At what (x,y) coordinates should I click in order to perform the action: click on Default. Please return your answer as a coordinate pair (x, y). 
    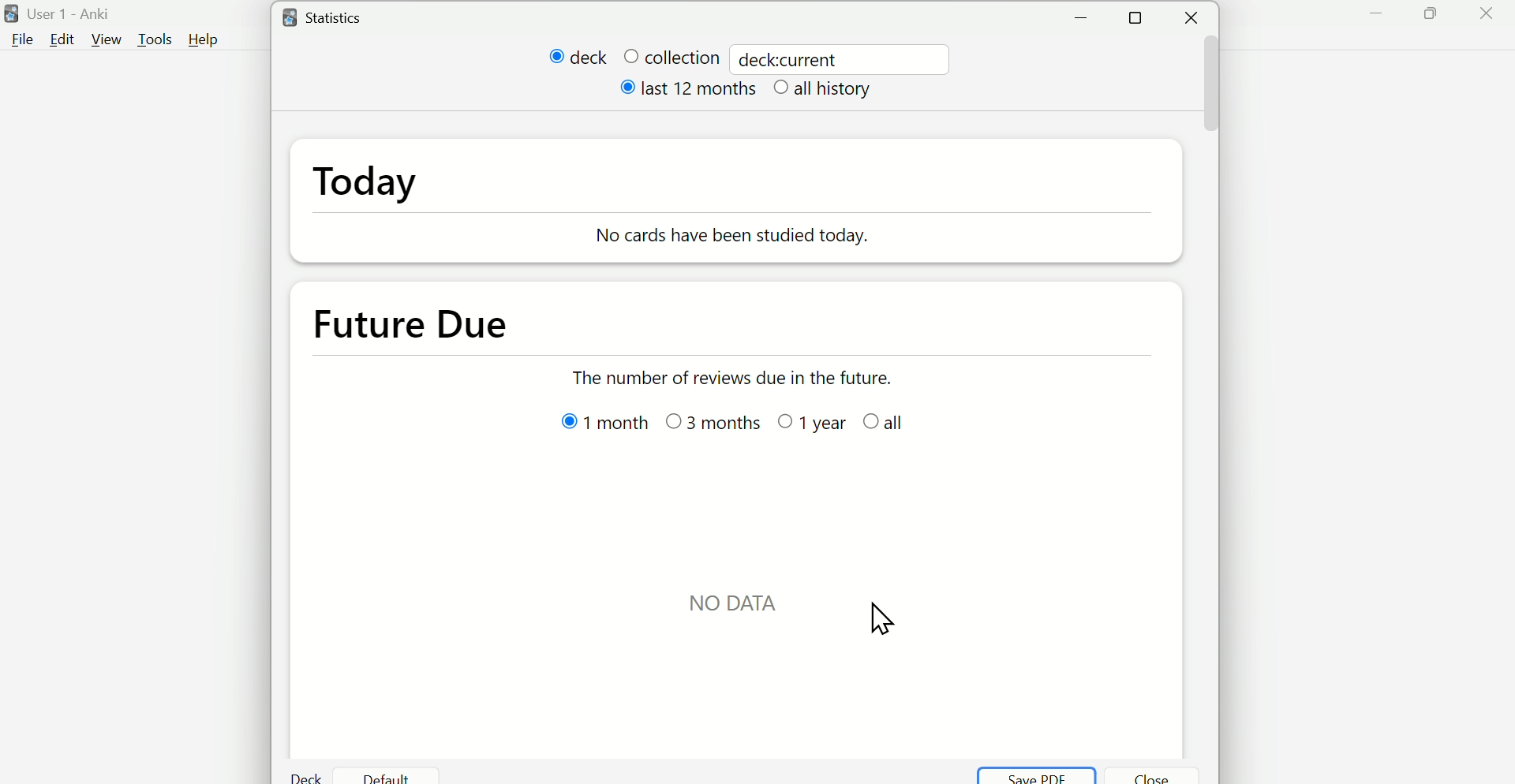
    Looking at the image, I should click on (398, 772).